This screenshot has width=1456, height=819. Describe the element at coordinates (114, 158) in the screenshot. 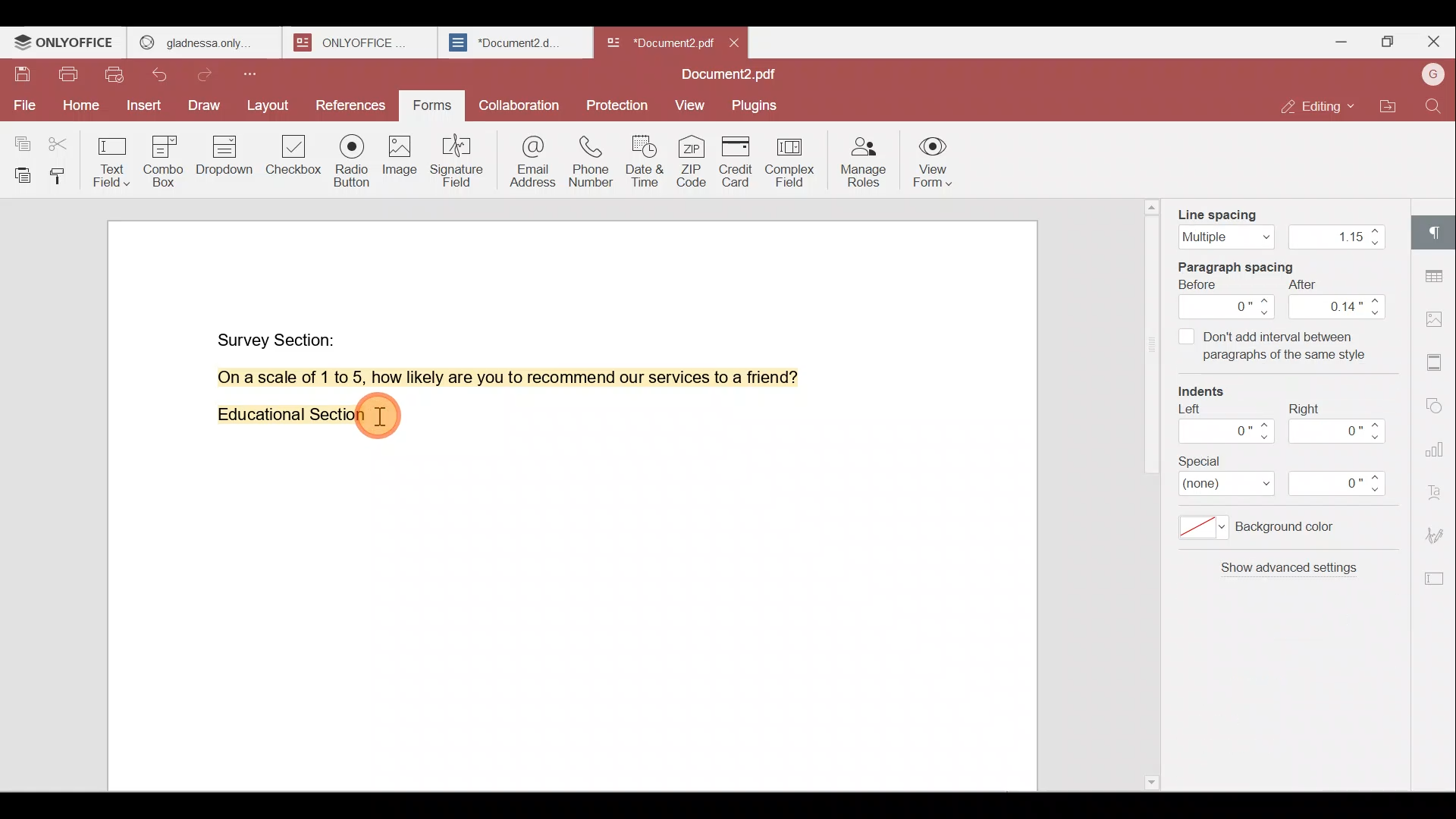

I see `Text field` at that location.